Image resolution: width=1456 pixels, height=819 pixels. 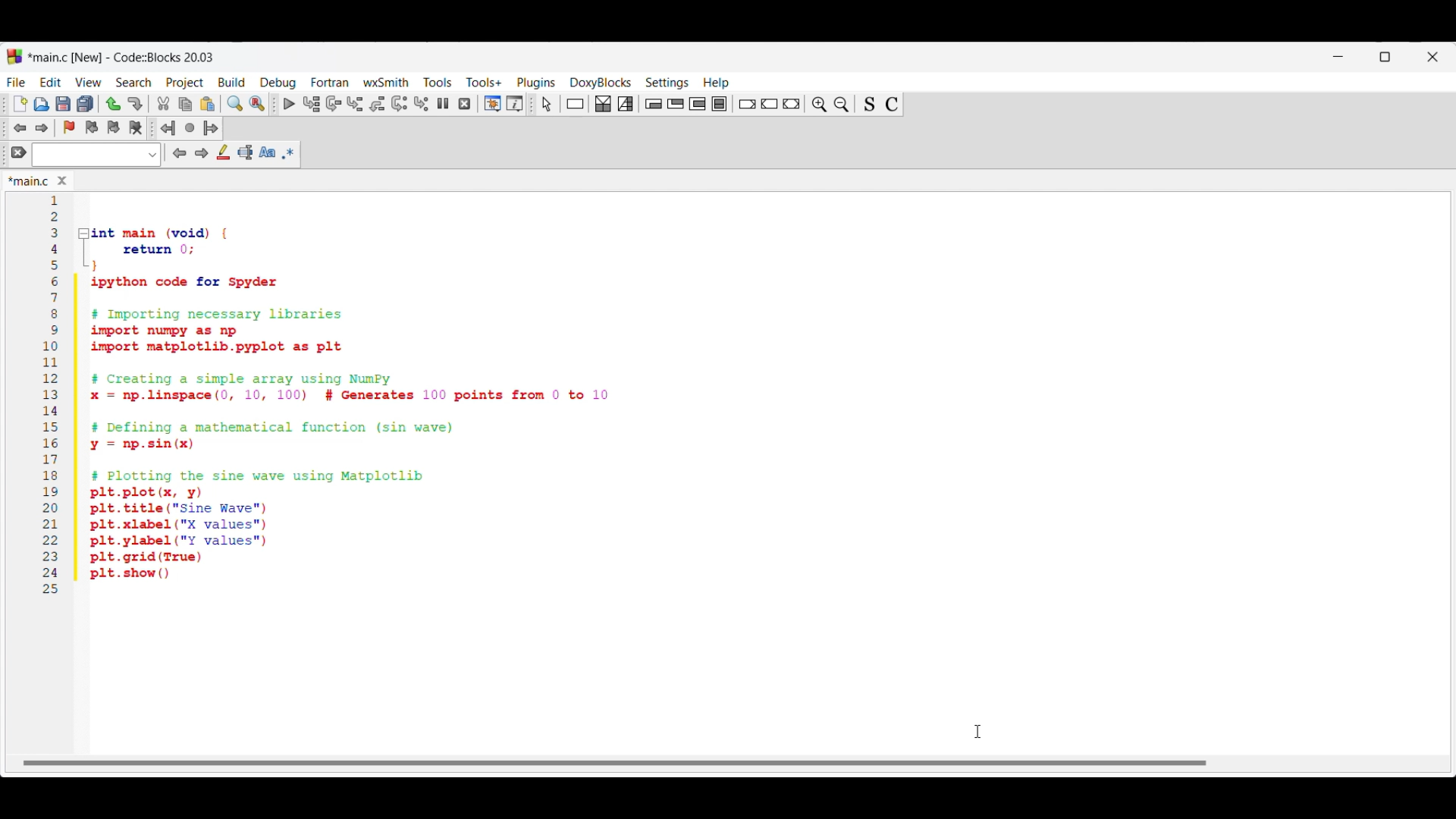 I want to click on Selection, so click(x=626, y=104).